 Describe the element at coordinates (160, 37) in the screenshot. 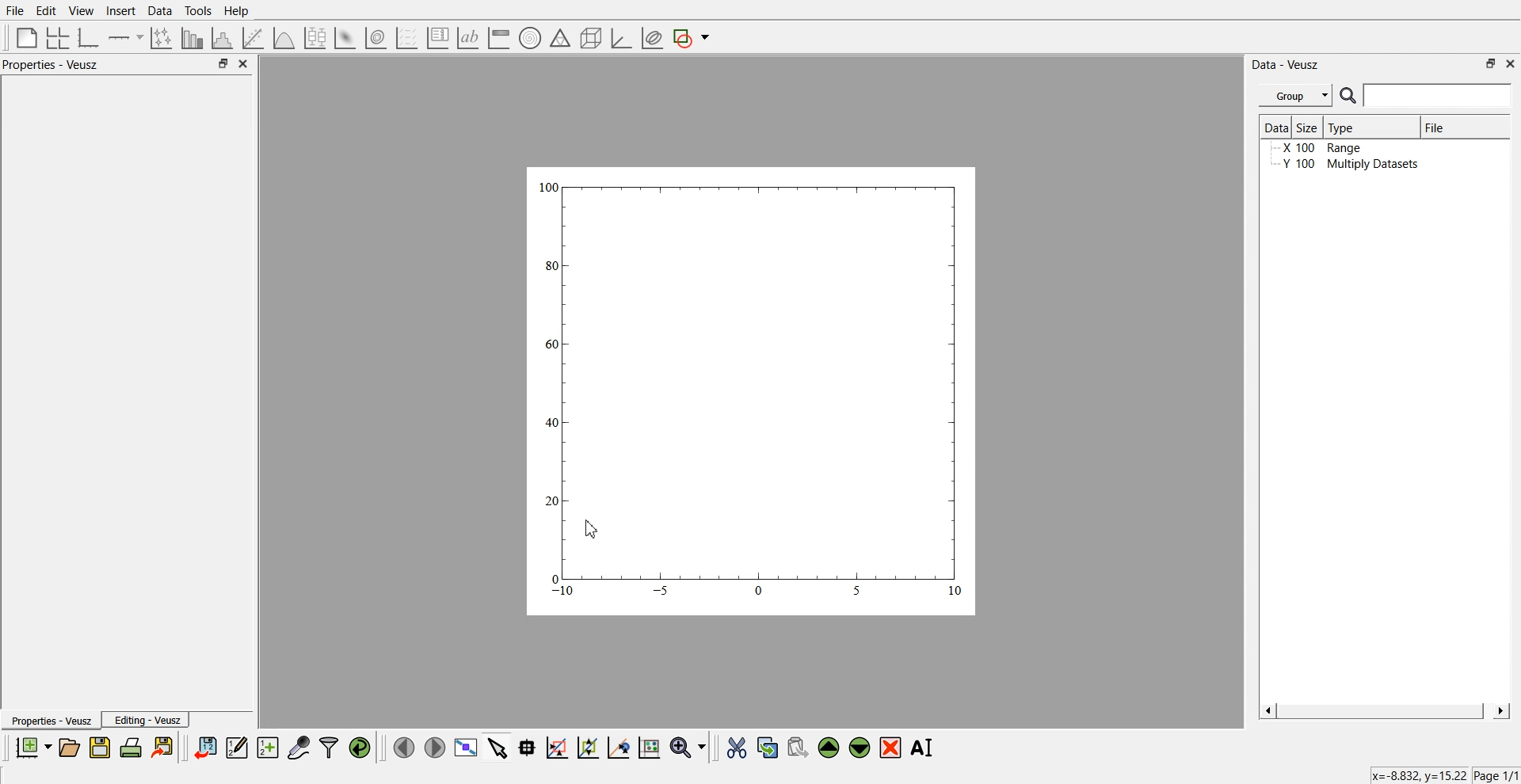

I see `plot points with non-orthogonal axes` at that location.